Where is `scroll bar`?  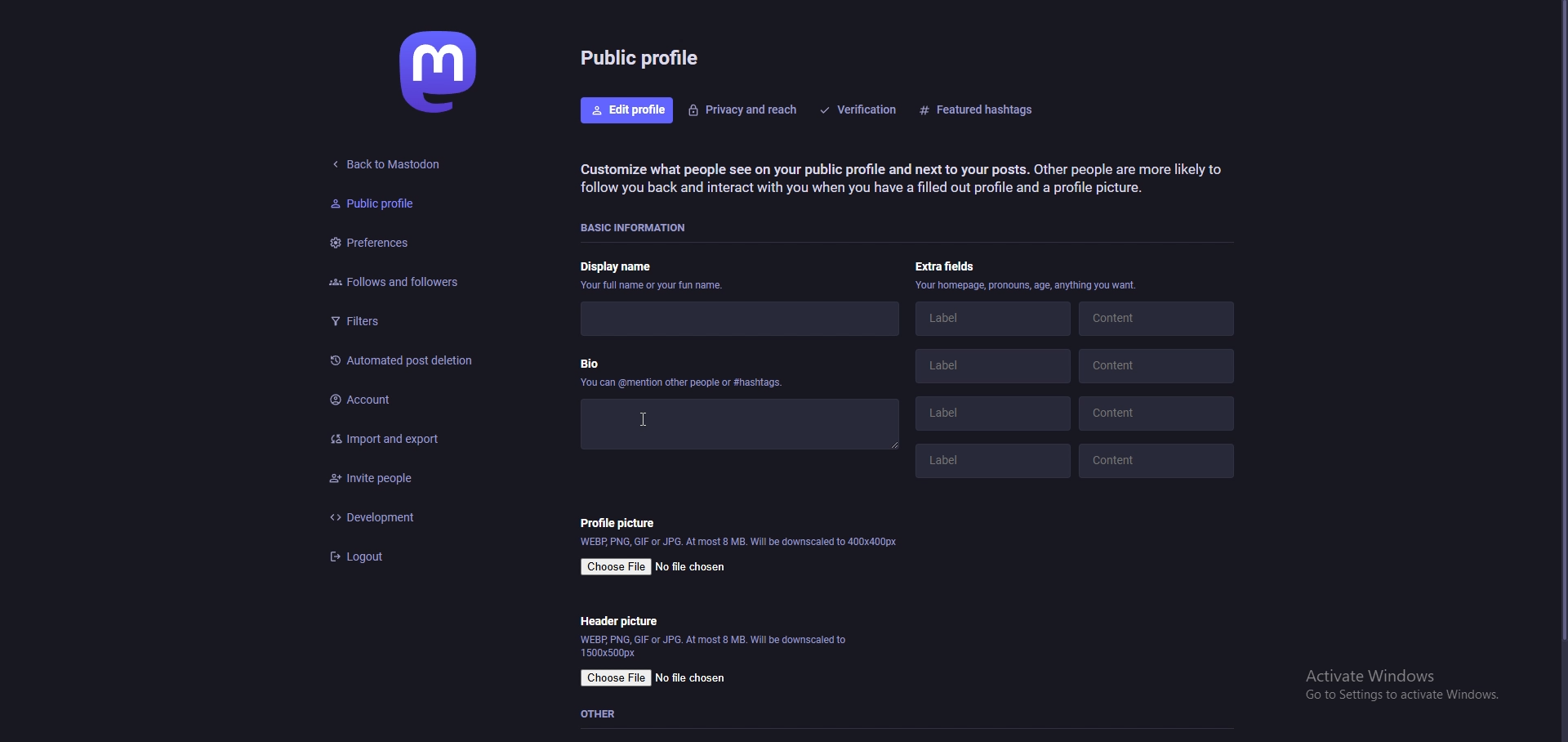 scroll bar is located at coordinates (1561, 324).